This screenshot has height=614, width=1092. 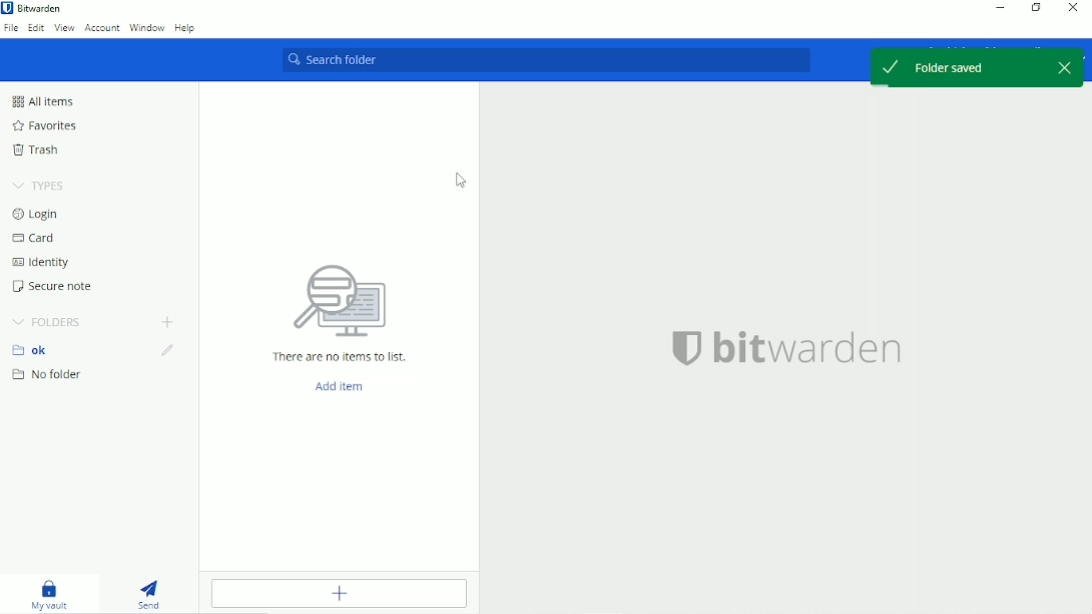 What do you see at coordinates (37, 238) in the screenshot?
I see `Card` at bounding box center [37, 238].